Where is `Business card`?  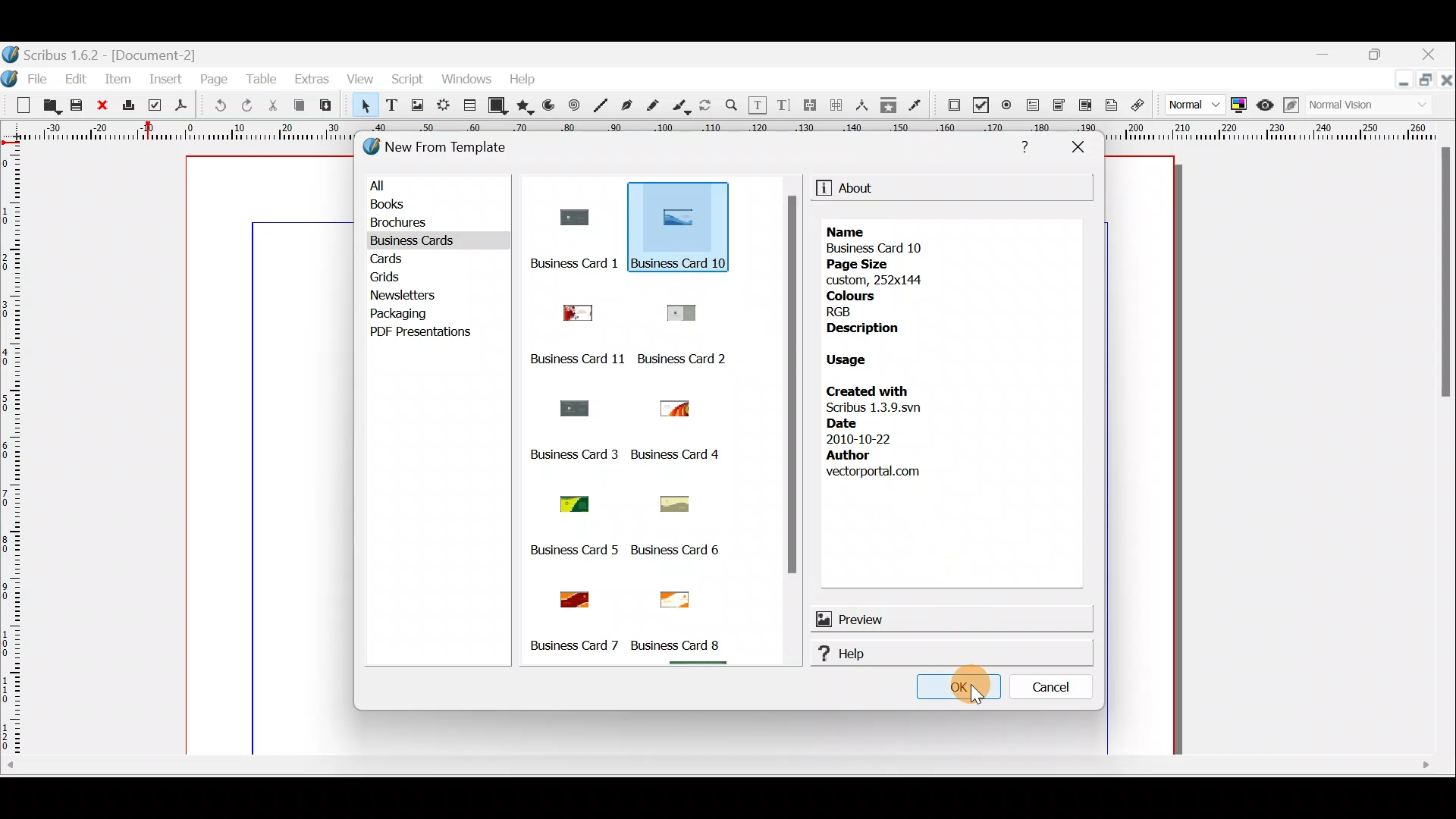
Business card is located at coordinates (674, 596).